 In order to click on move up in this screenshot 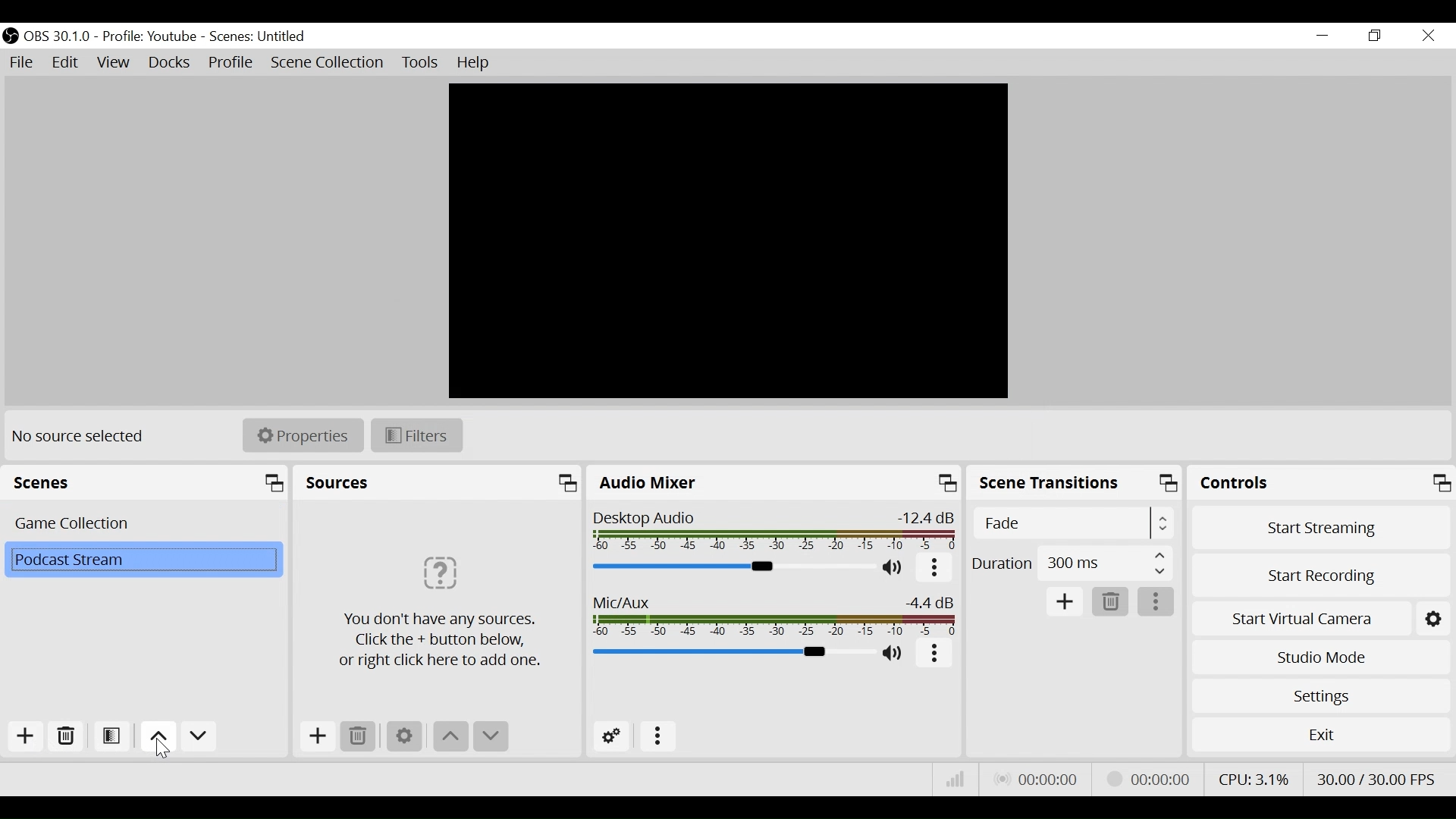, I will do `click(156, 736)`.